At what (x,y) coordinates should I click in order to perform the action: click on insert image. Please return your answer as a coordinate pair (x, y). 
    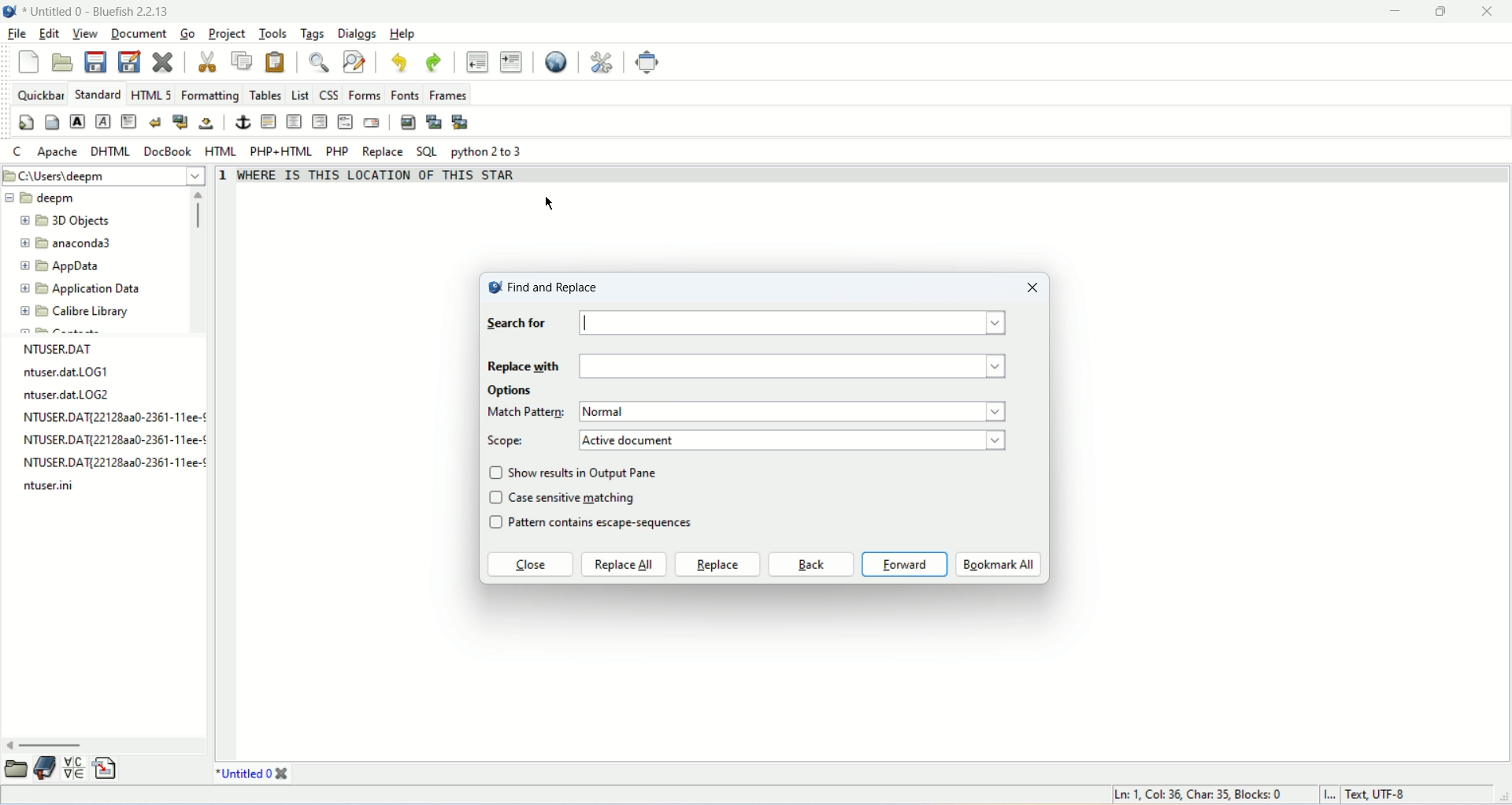
    Looking at the image, I should click on (406, 123).